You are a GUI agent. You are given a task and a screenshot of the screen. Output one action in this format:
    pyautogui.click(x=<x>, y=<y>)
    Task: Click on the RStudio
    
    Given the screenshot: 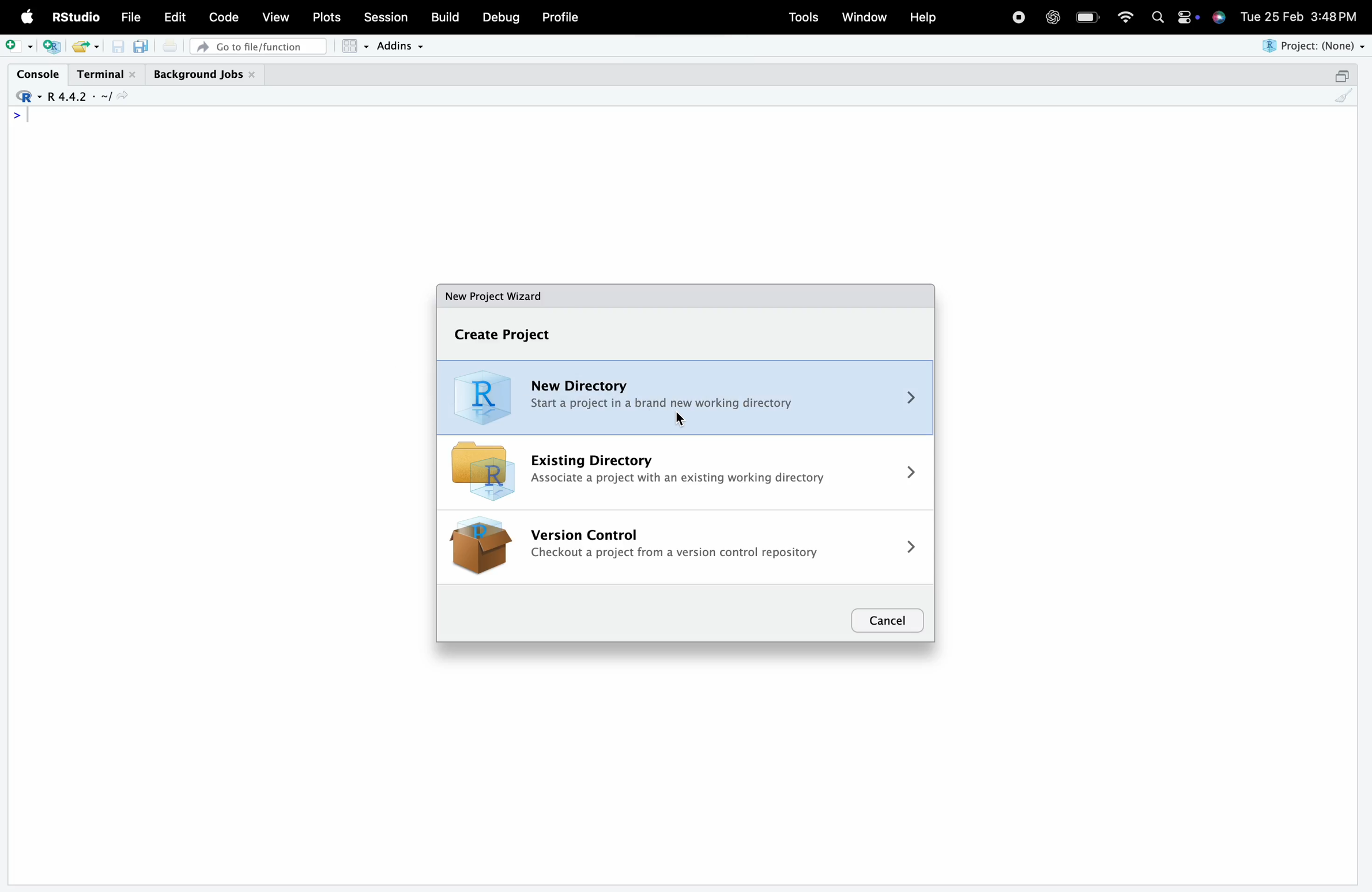 What is the action you would take?
    pyautogui.click(x=74, y=17)
    